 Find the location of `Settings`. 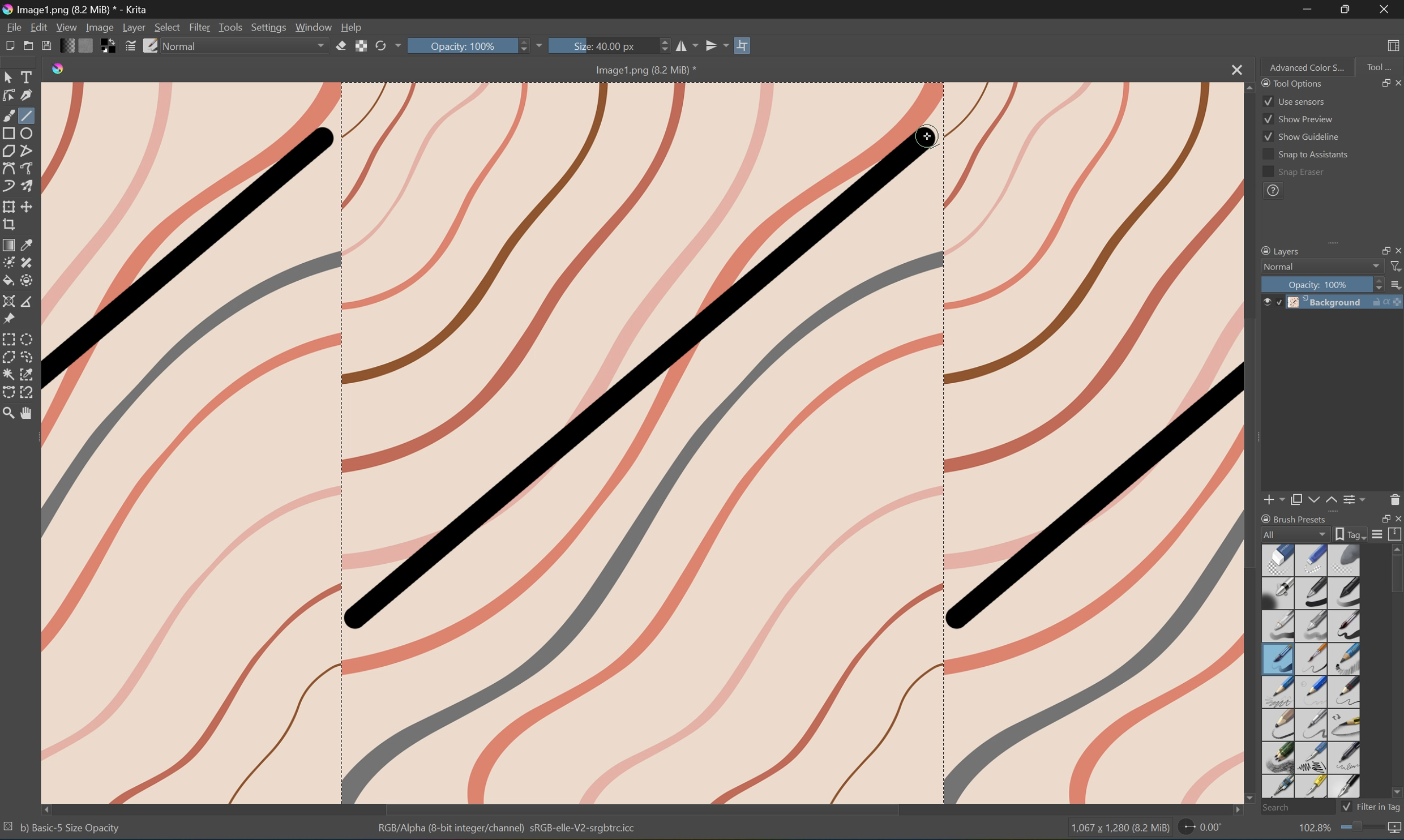

Settings is located at coordinates (268, 27).